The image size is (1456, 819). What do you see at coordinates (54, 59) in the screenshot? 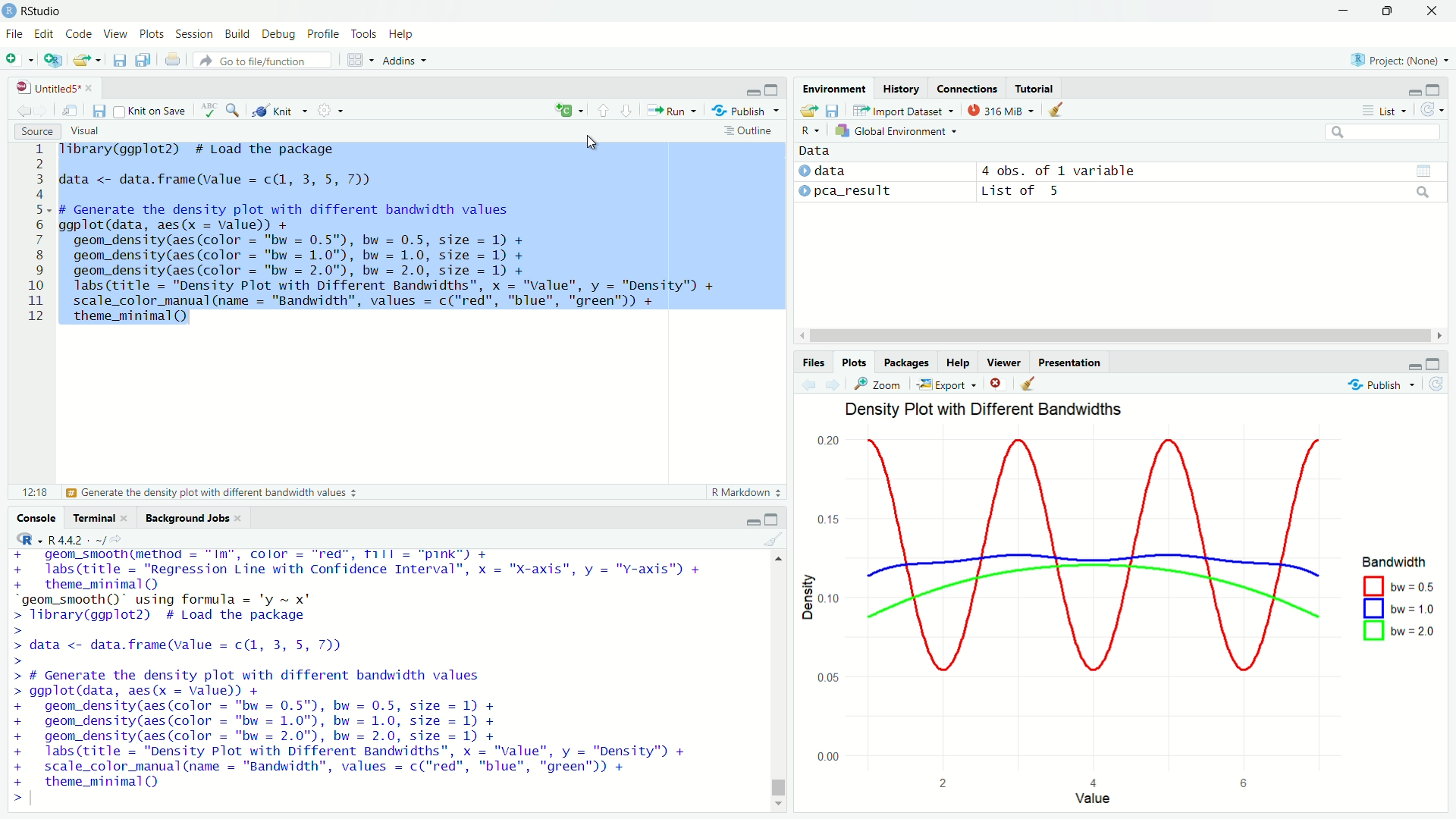
I see `Create a project` at bounding box center [54, 59].